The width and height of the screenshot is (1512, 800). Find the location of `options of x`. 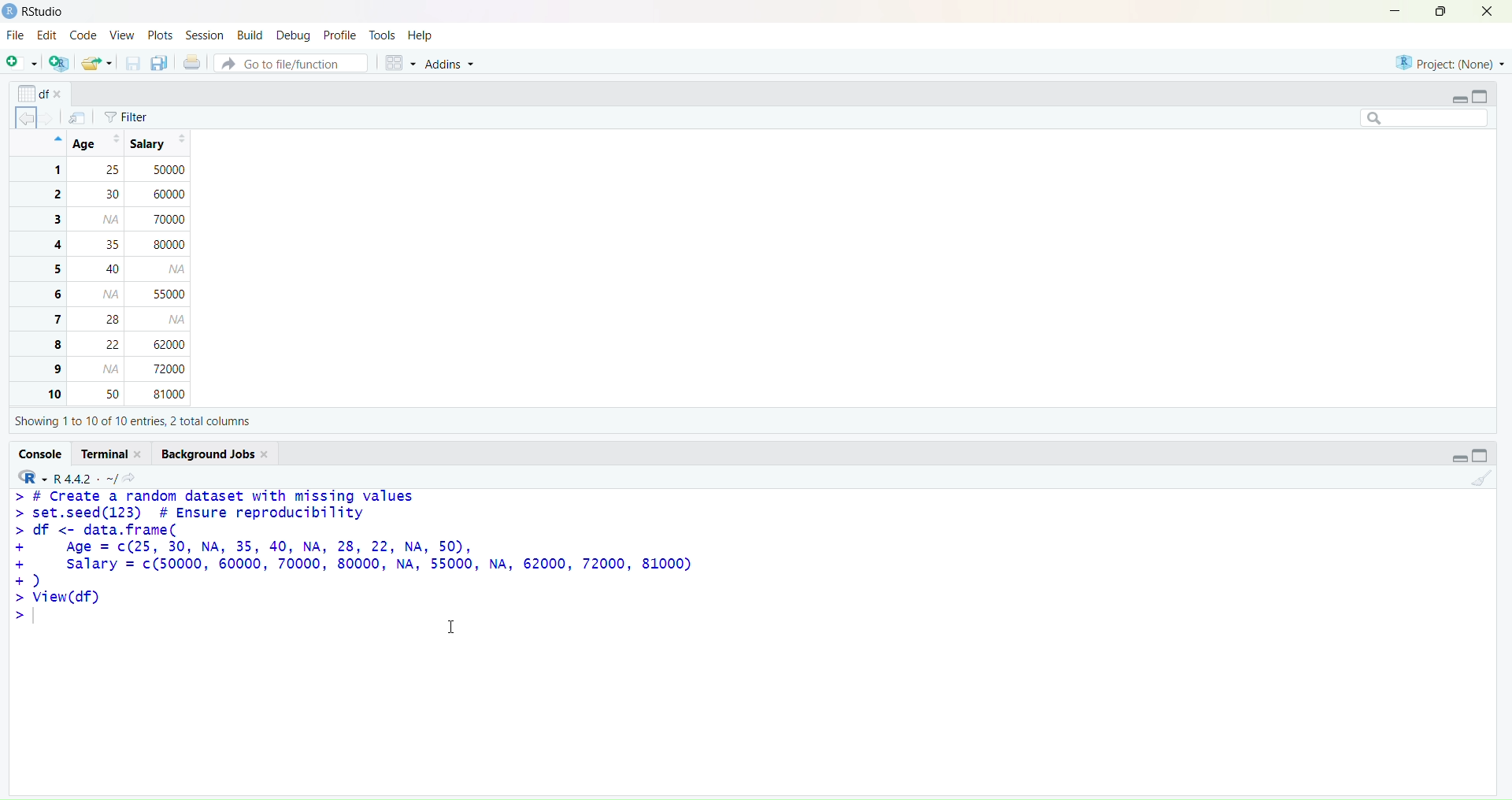

options of x is located at coordinates (42, 93).